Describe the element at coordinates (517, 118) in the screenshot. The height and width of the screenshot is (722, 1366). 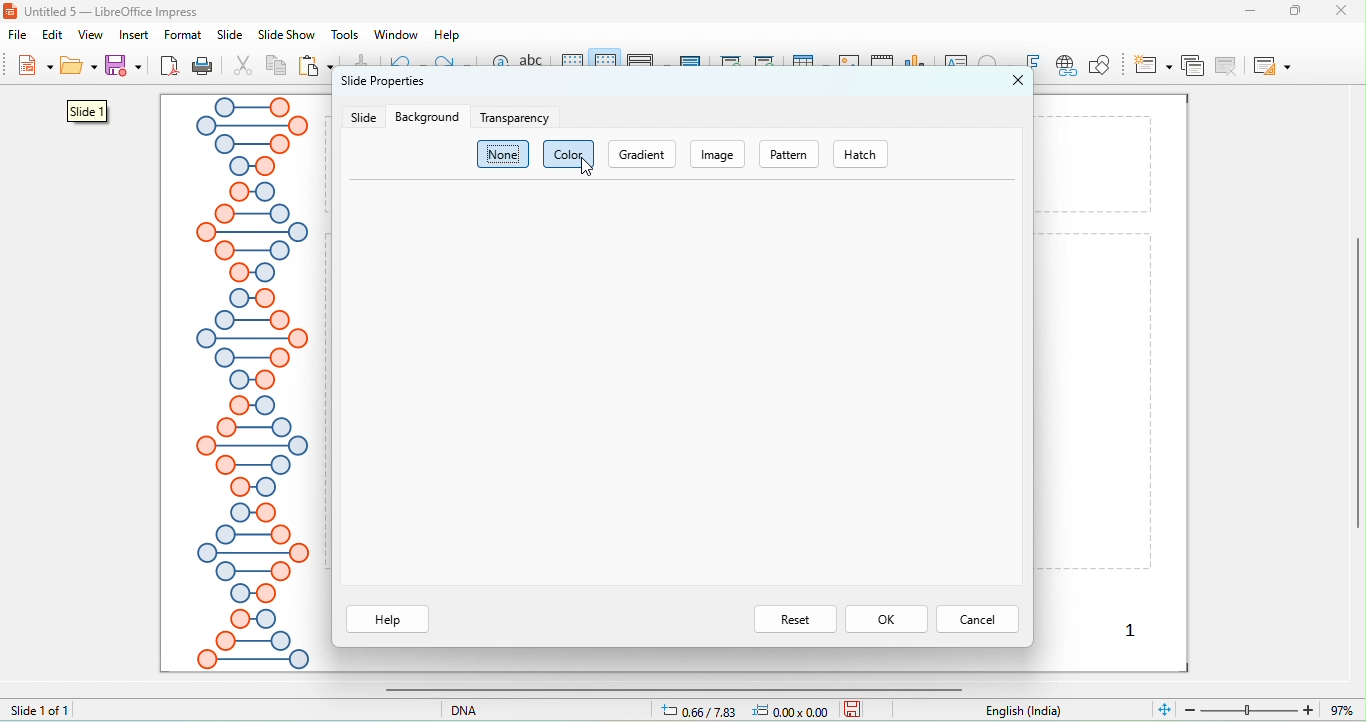
I see `transparency` at that location.